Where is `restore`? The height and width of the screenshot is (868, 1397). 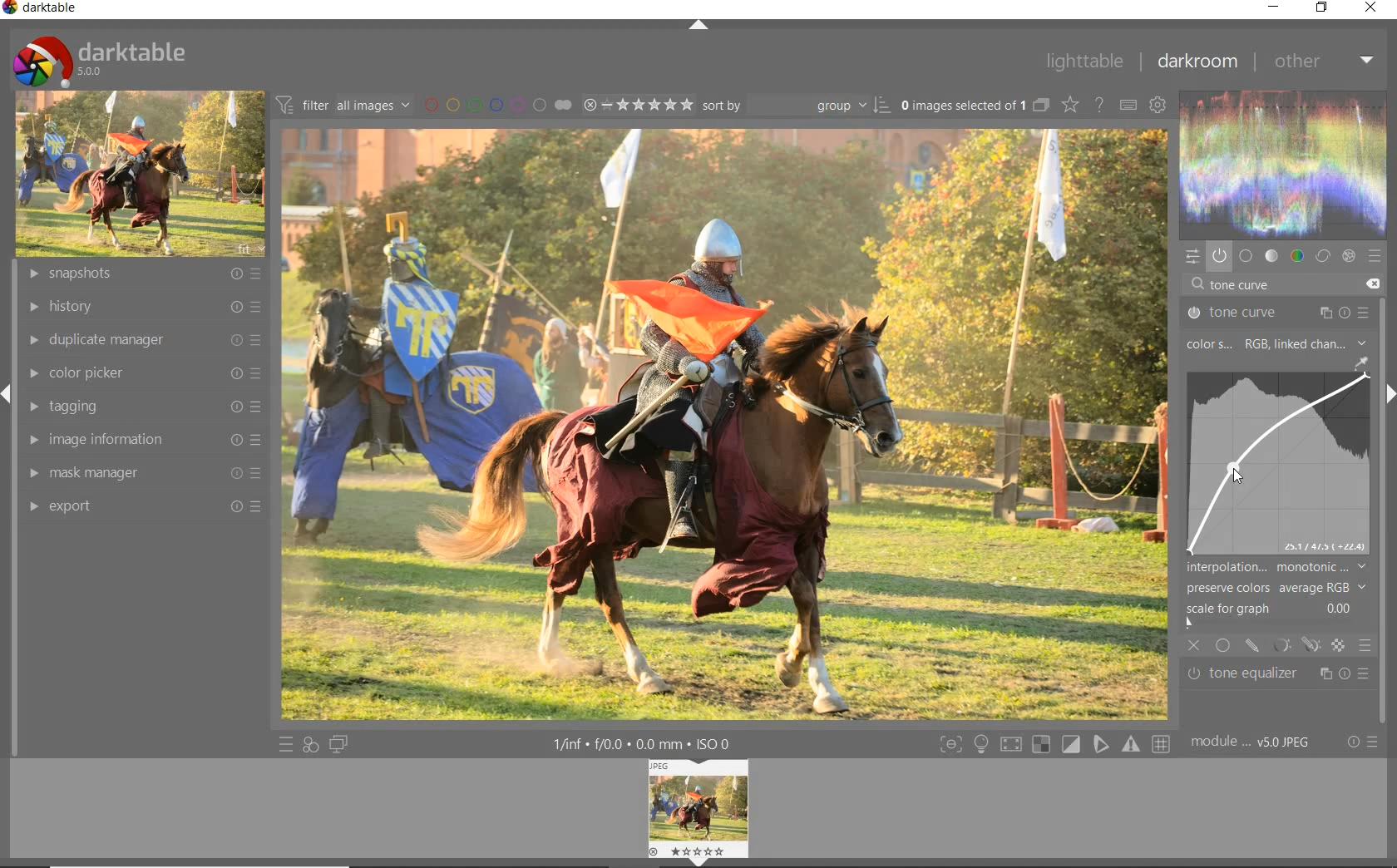
restore is located at coordinates (1322, 7).